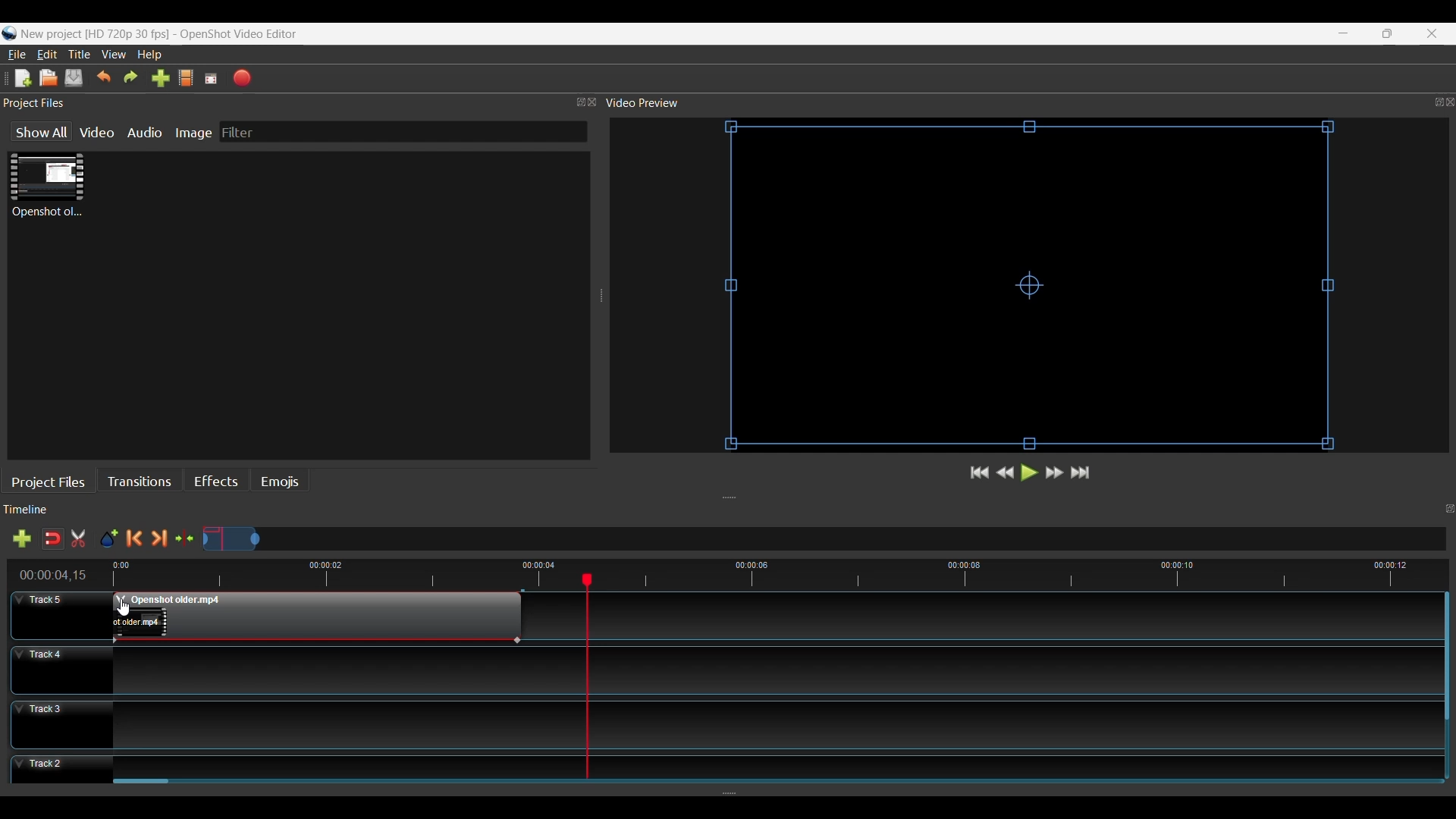  Describe the element at coordinates (75, 77) in the screenshot. I see `Save File` at that location.